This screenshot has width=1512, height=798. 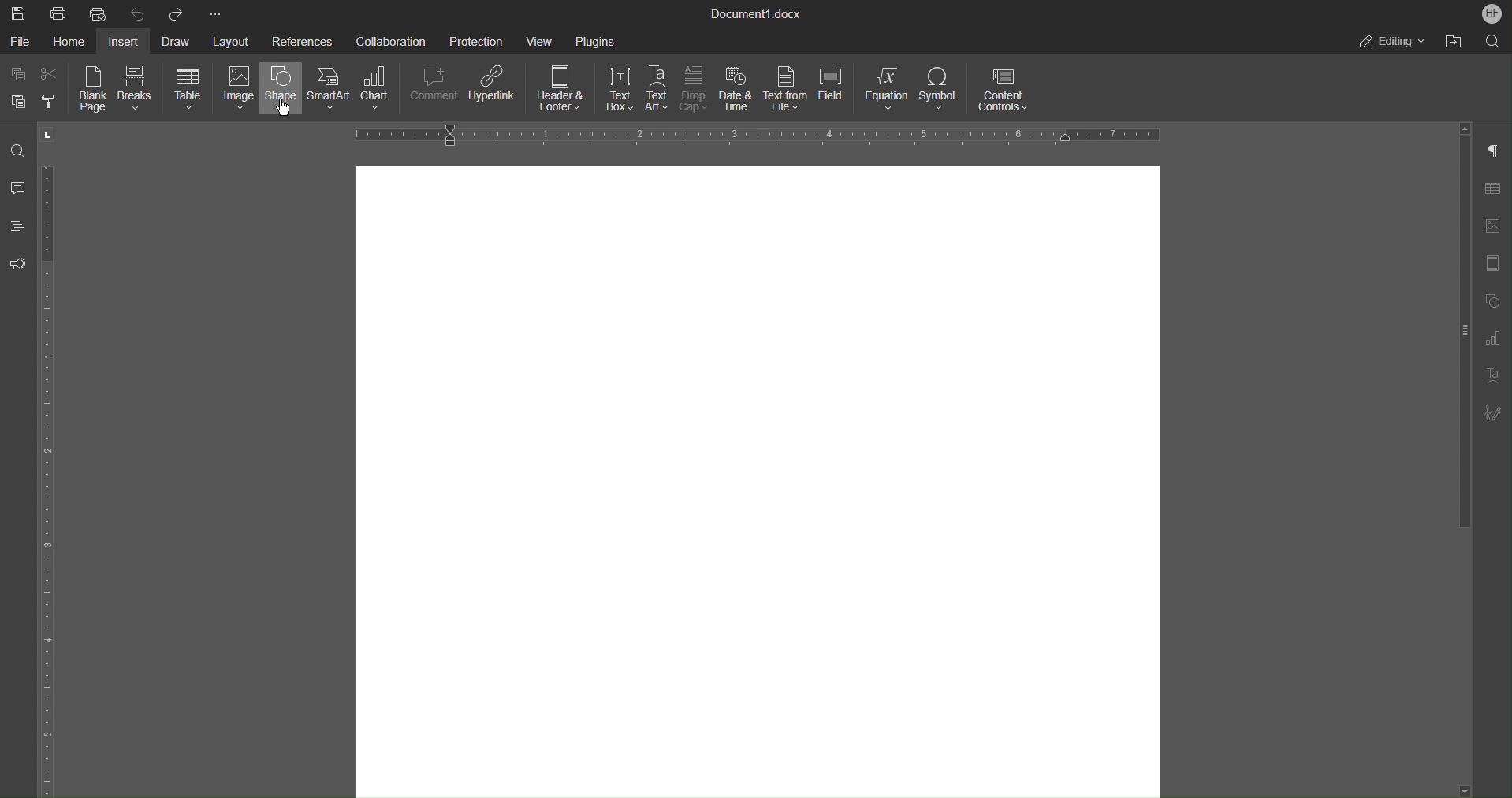 What do you see at coordinates (302, 41) in the screenshot?
I see `References` at bounding box center [302, 41].